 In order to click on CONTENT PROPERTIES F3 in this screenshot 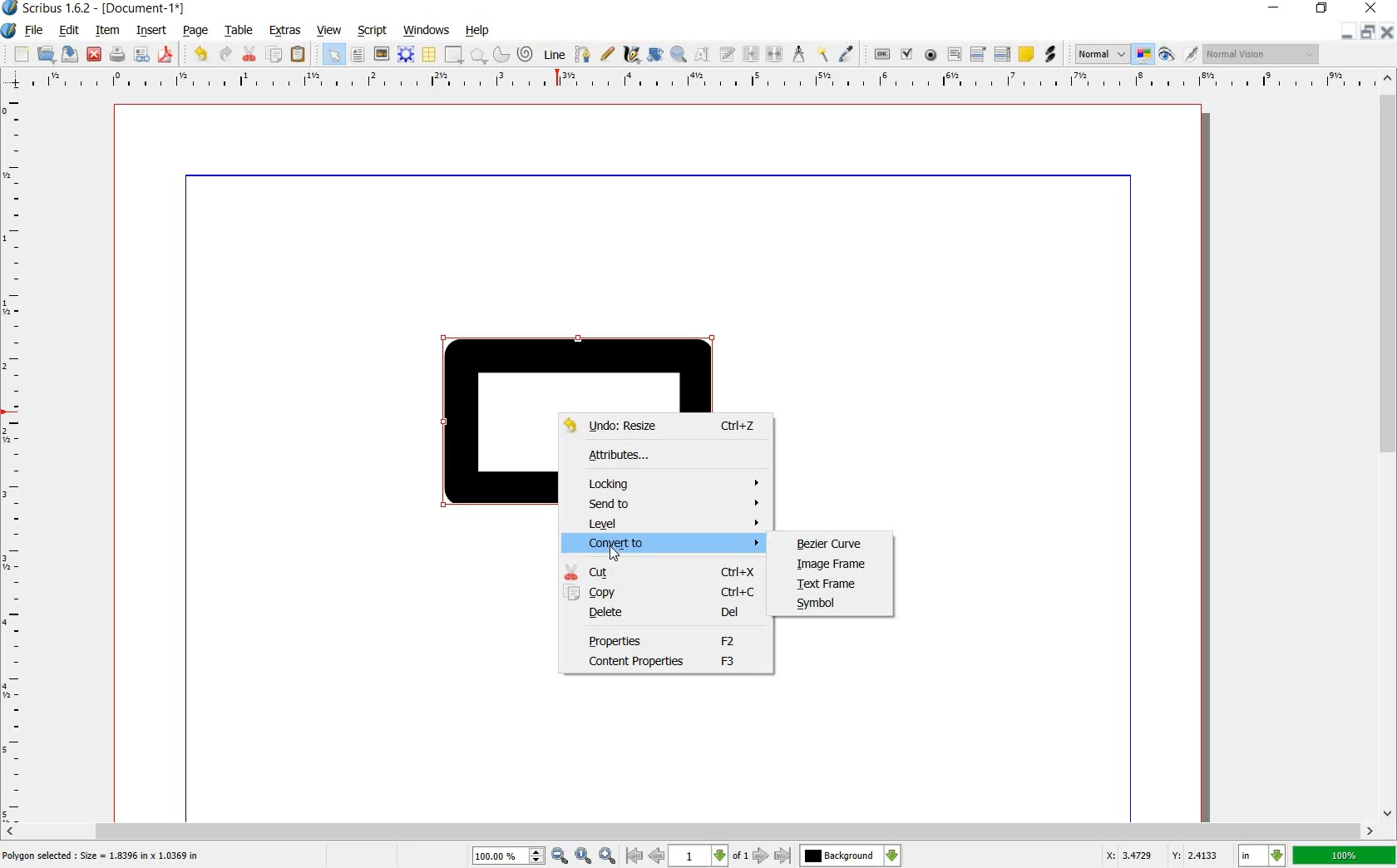, I will do `click(664, 662)`.